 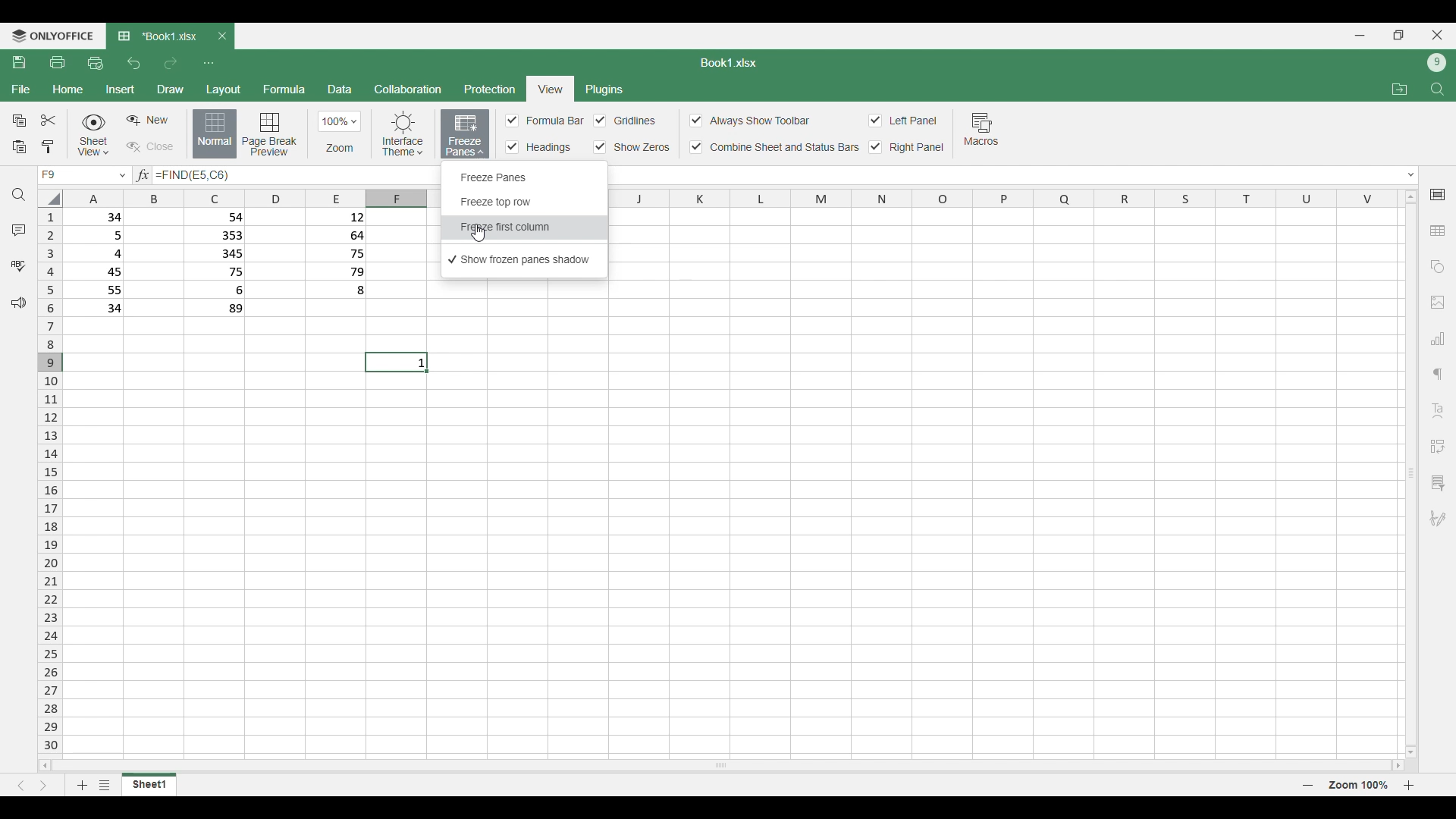 I want to click on Combine sheet and status bar toggle, so click(x=773, y=147).